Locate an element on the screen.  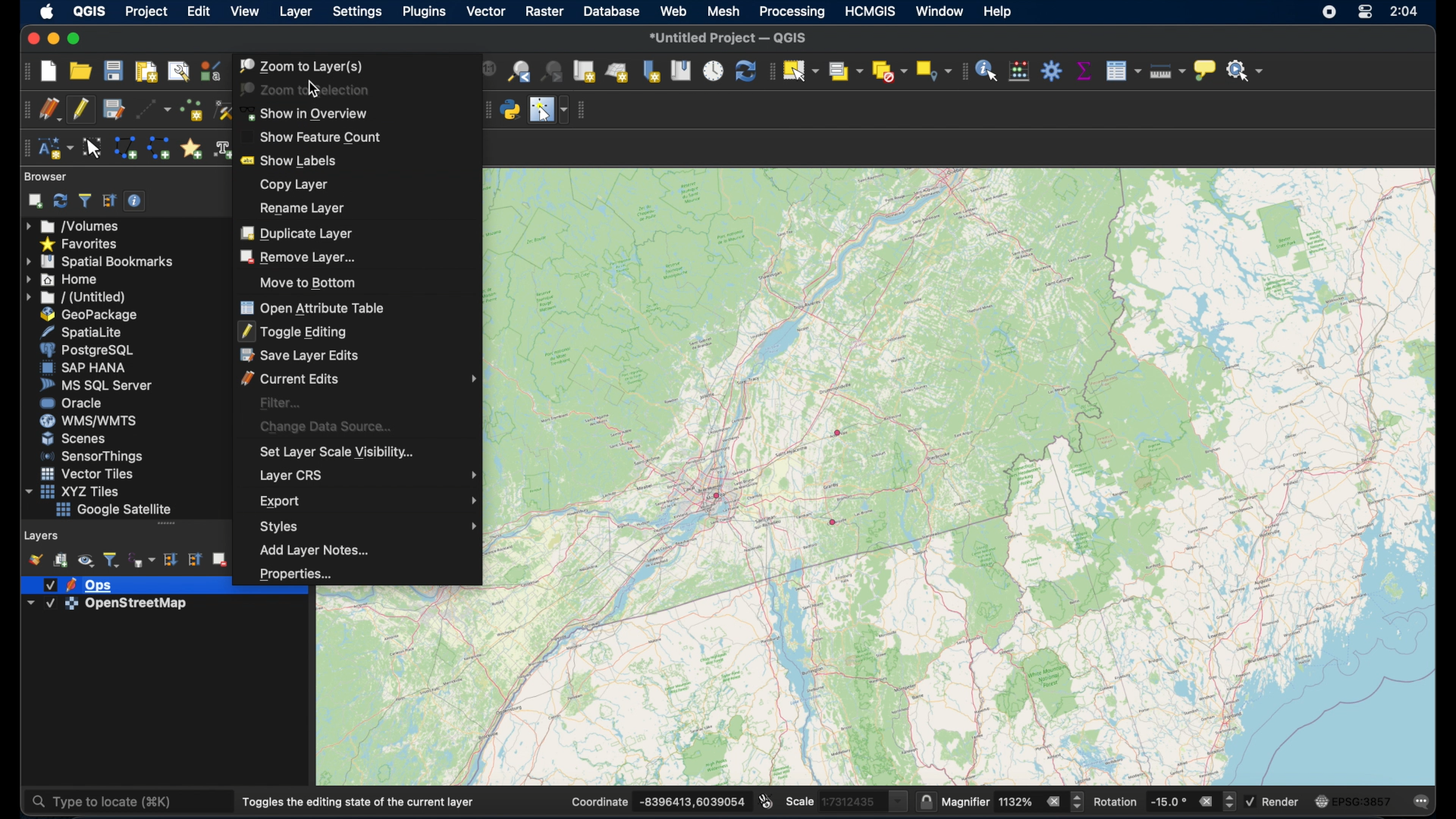
refresh is located at coordinates (743, 70).